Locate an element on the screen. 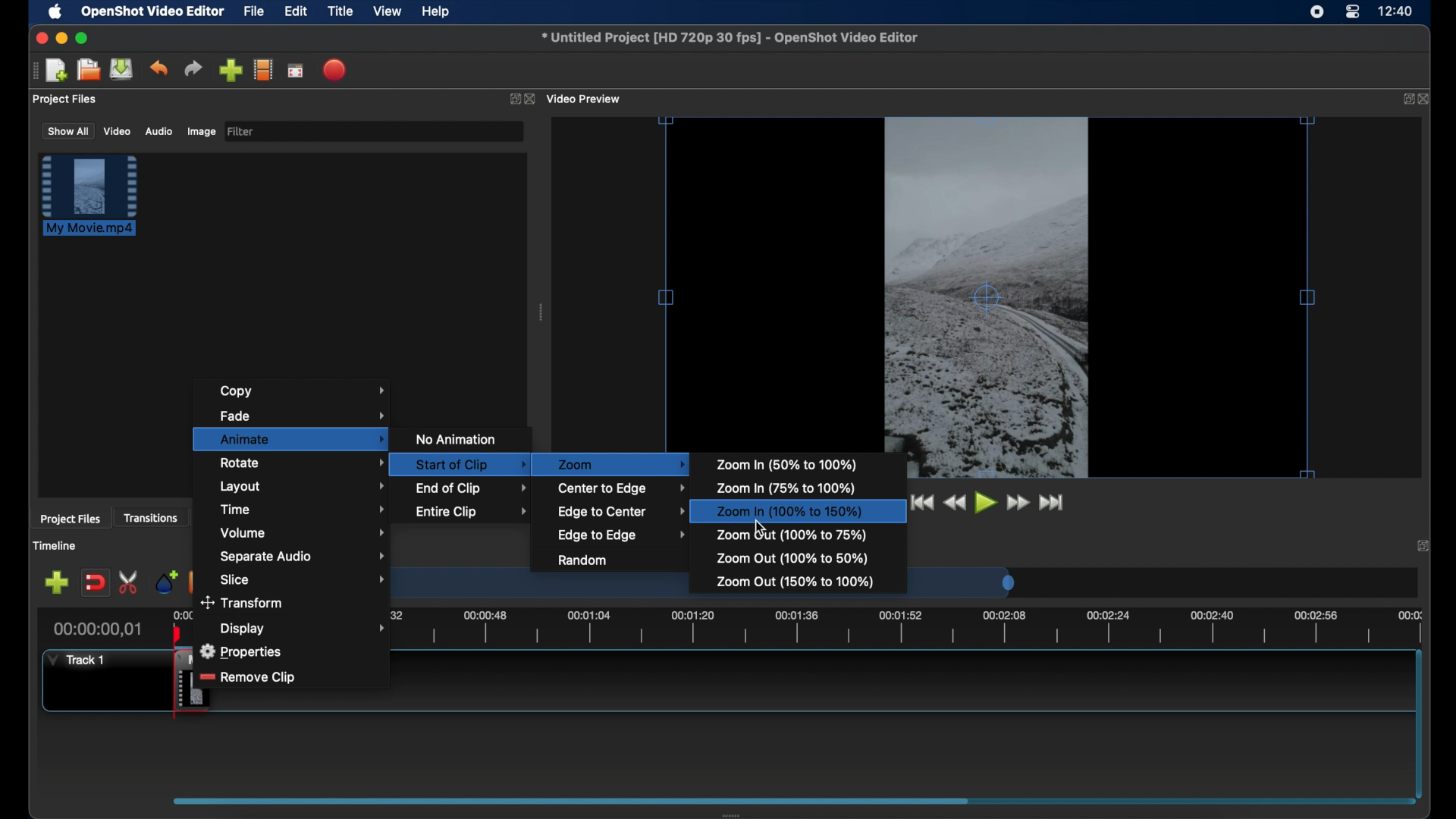 The height and width of the screenshot is (819, 1456). layout menu is located at coordinates (303, 487).